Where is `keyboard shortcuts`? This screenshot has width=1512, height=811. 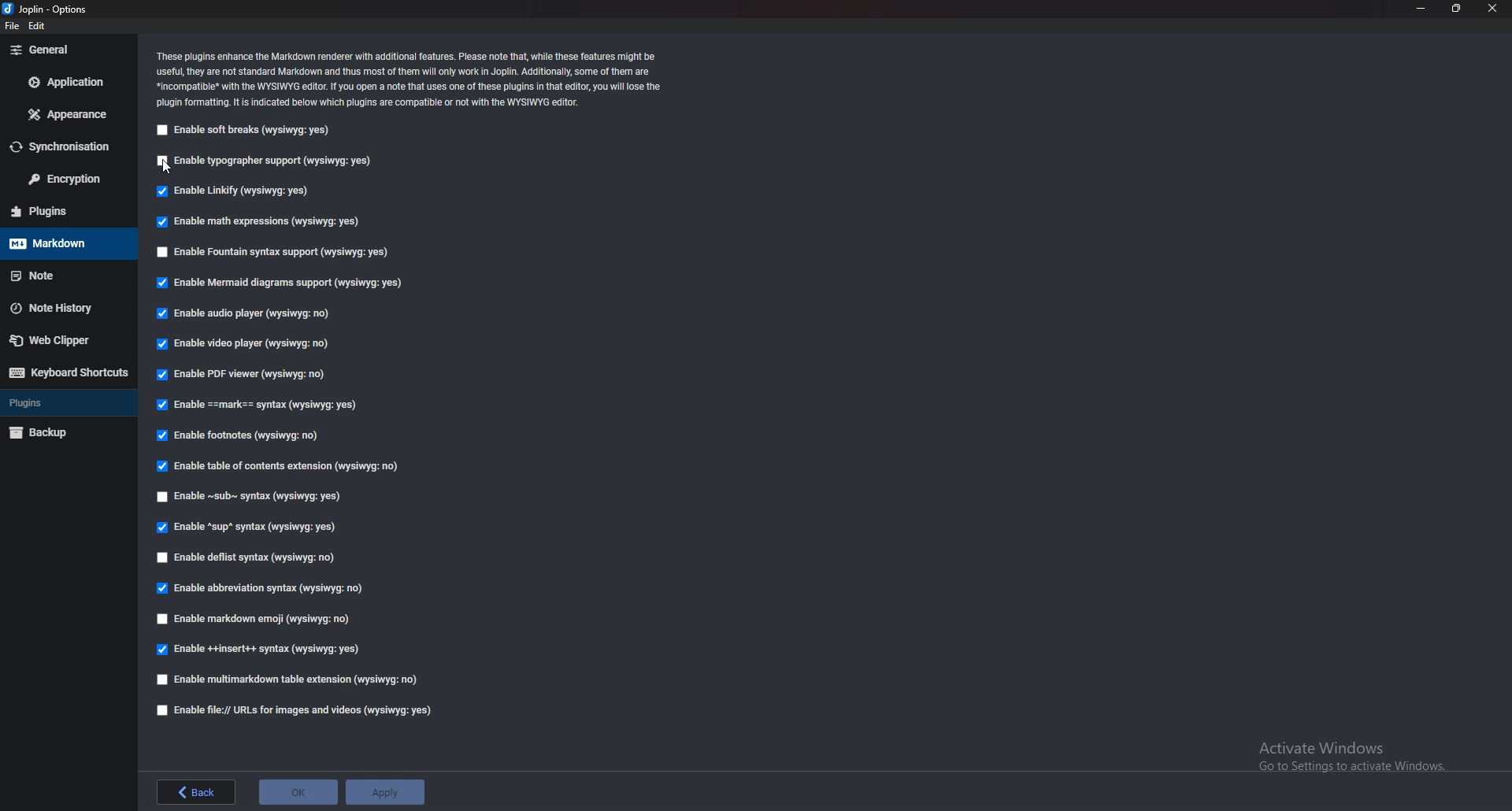
keyboard shortcuts is located at coordinates (69, 373).